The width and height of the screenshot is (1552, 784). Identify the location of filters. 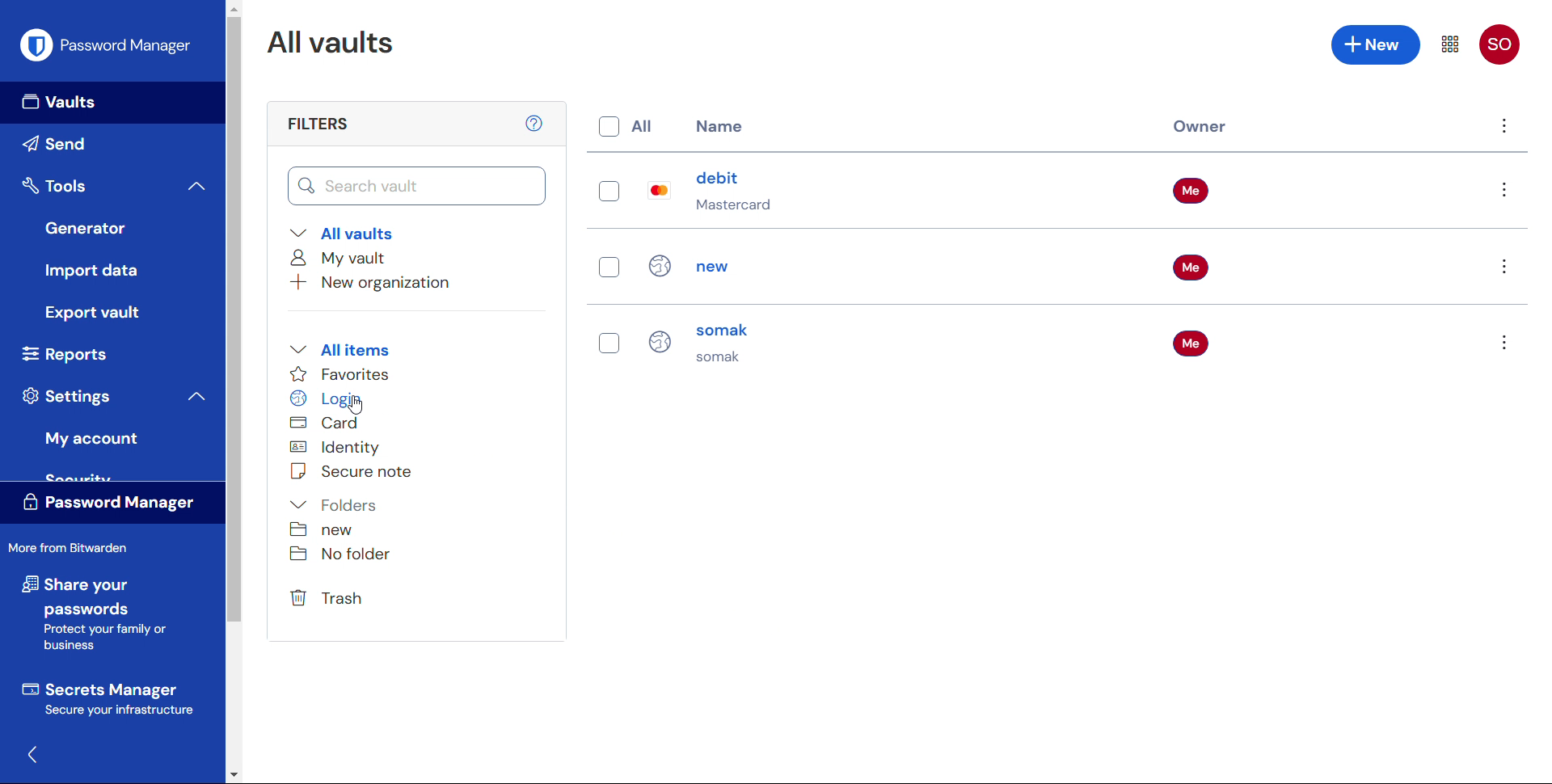
(318, 124).